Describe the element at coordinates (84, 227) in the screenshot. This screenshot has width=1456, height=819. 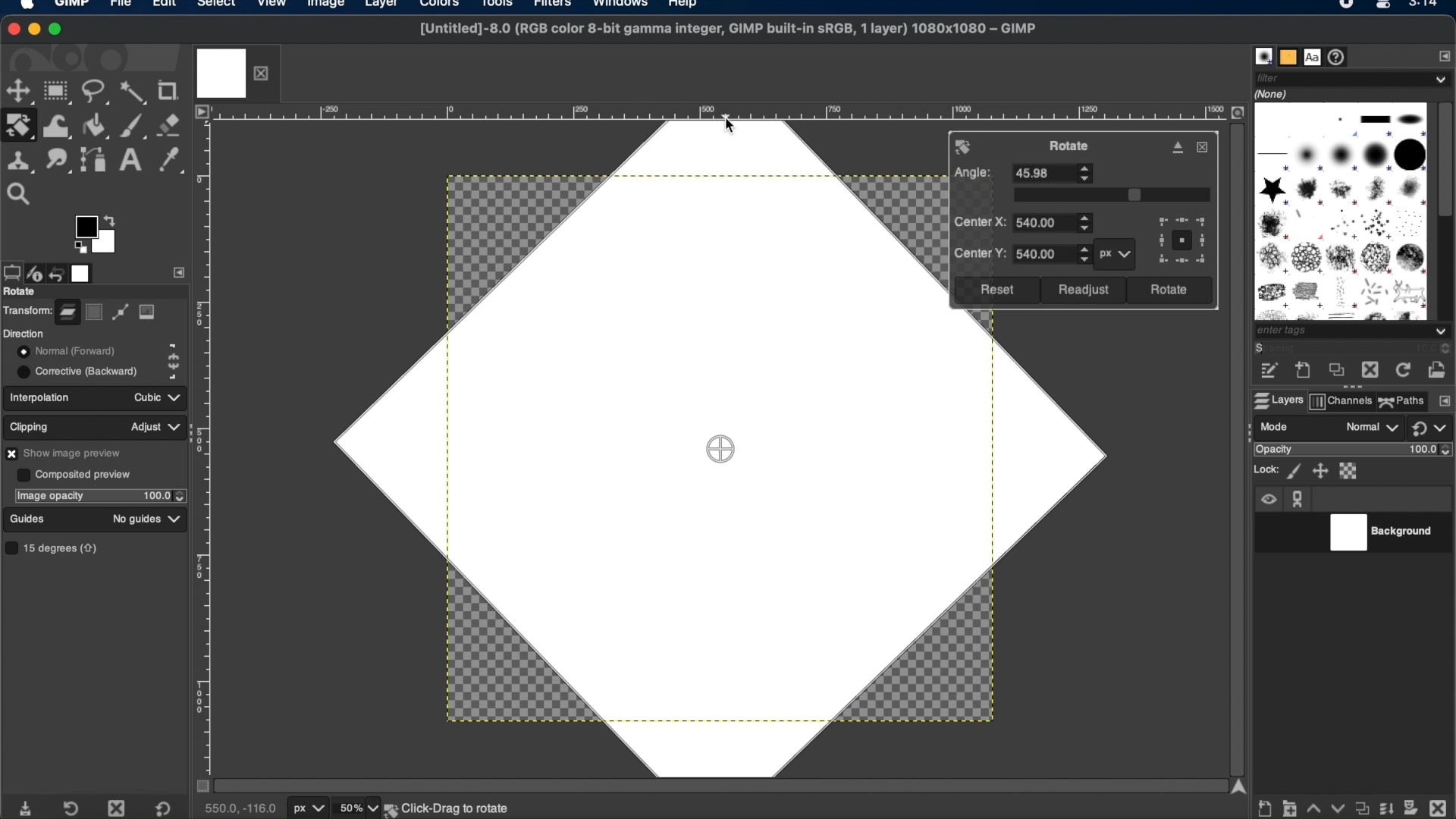
I see `active foreground color` at that location.